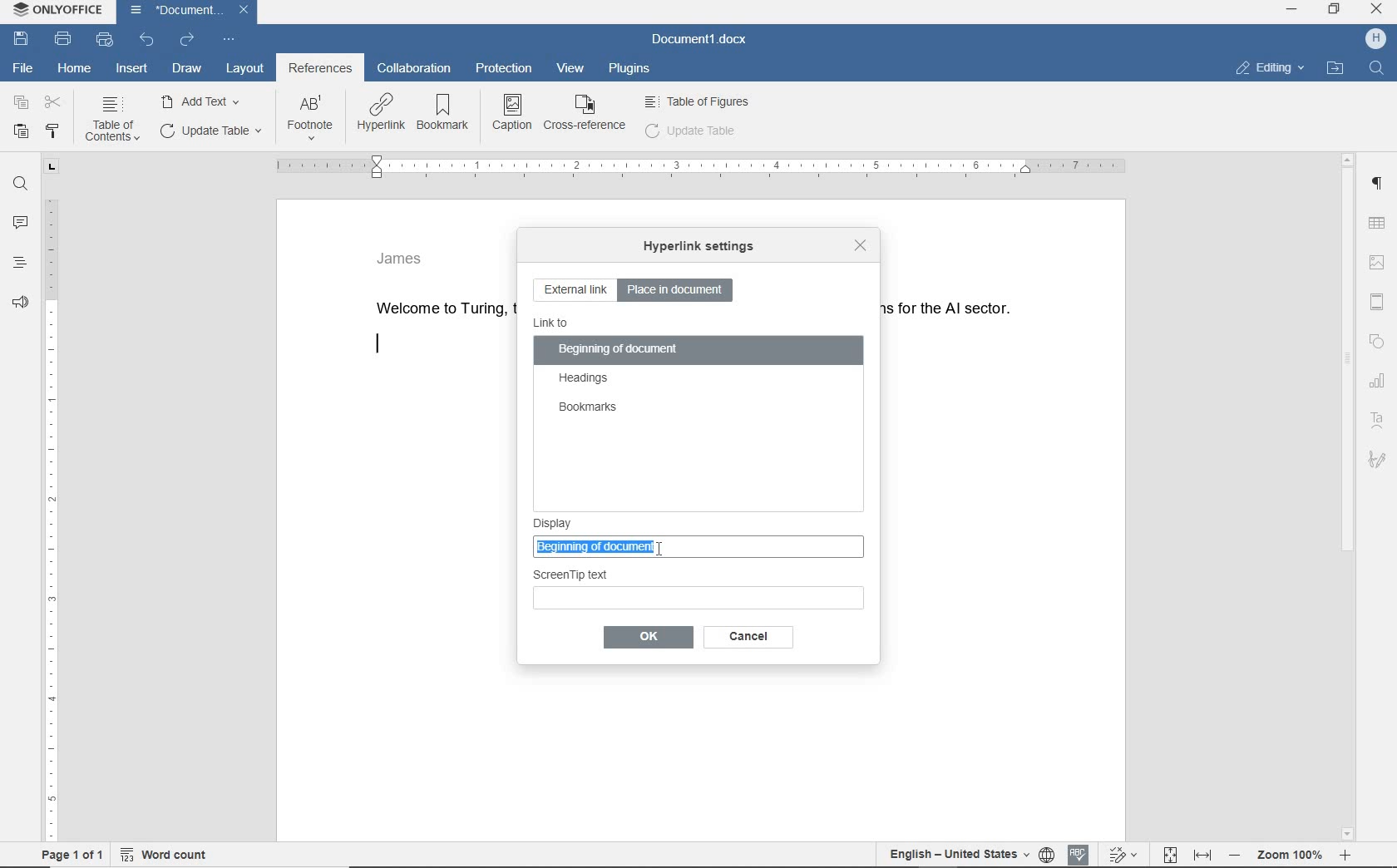 This screenshot has height=868, width=1397. What do you see at coordinates (244, 67) in the screenshot?
I see `layout` at bounding box center [244, 67].